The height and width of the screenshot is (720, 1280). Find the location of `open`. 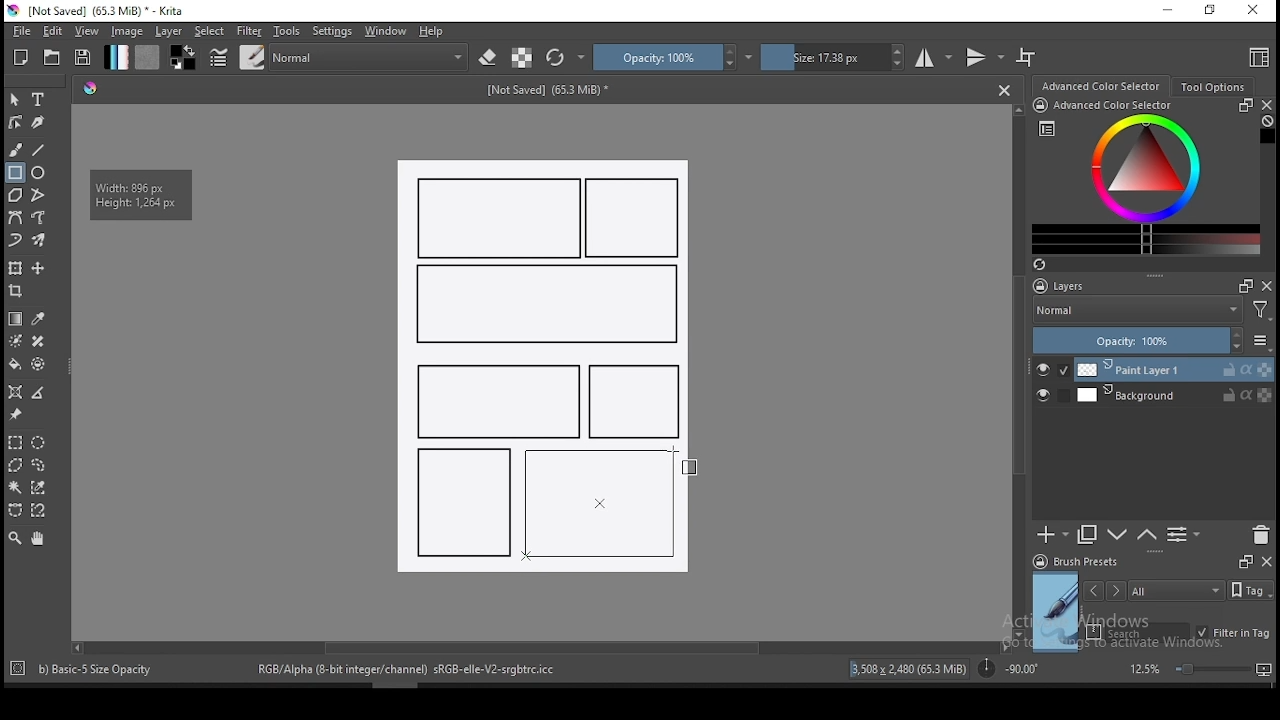

open is located at coordinates (52, 57).